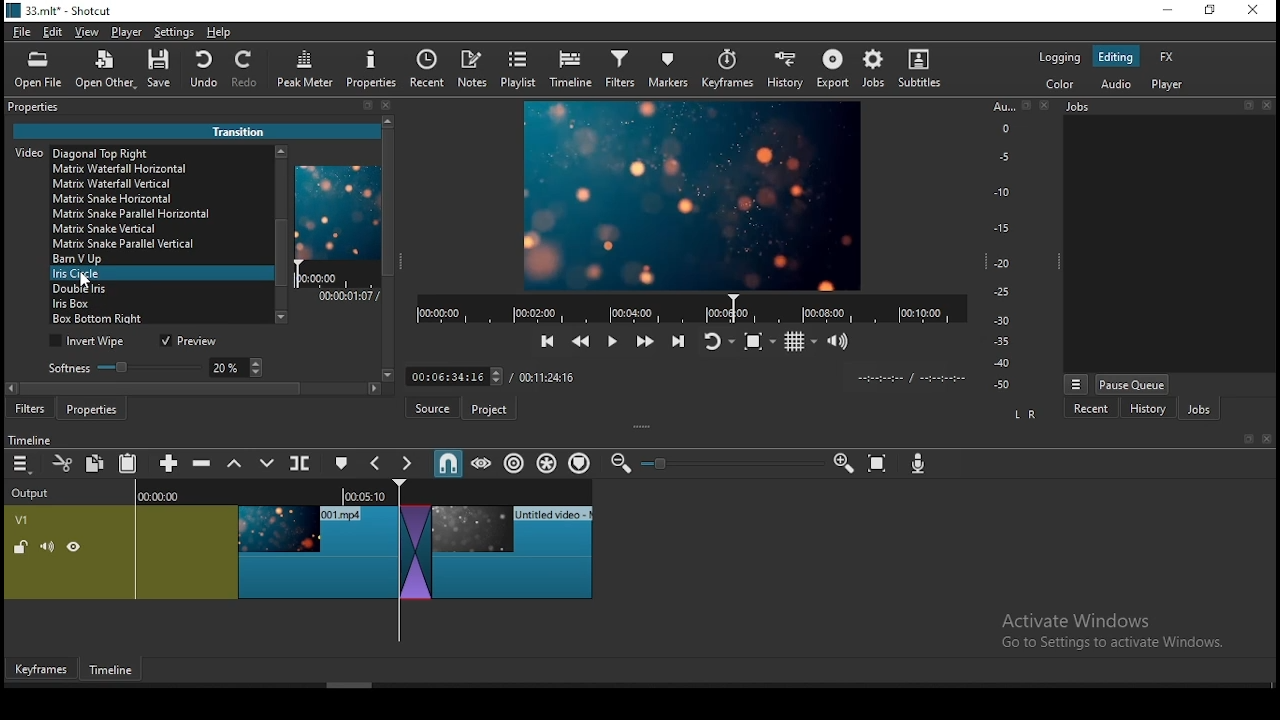 This screenshot has height=720, width=1280. Describe the element at coordinates (662, 464) in the screenshot. I see `` at that location.